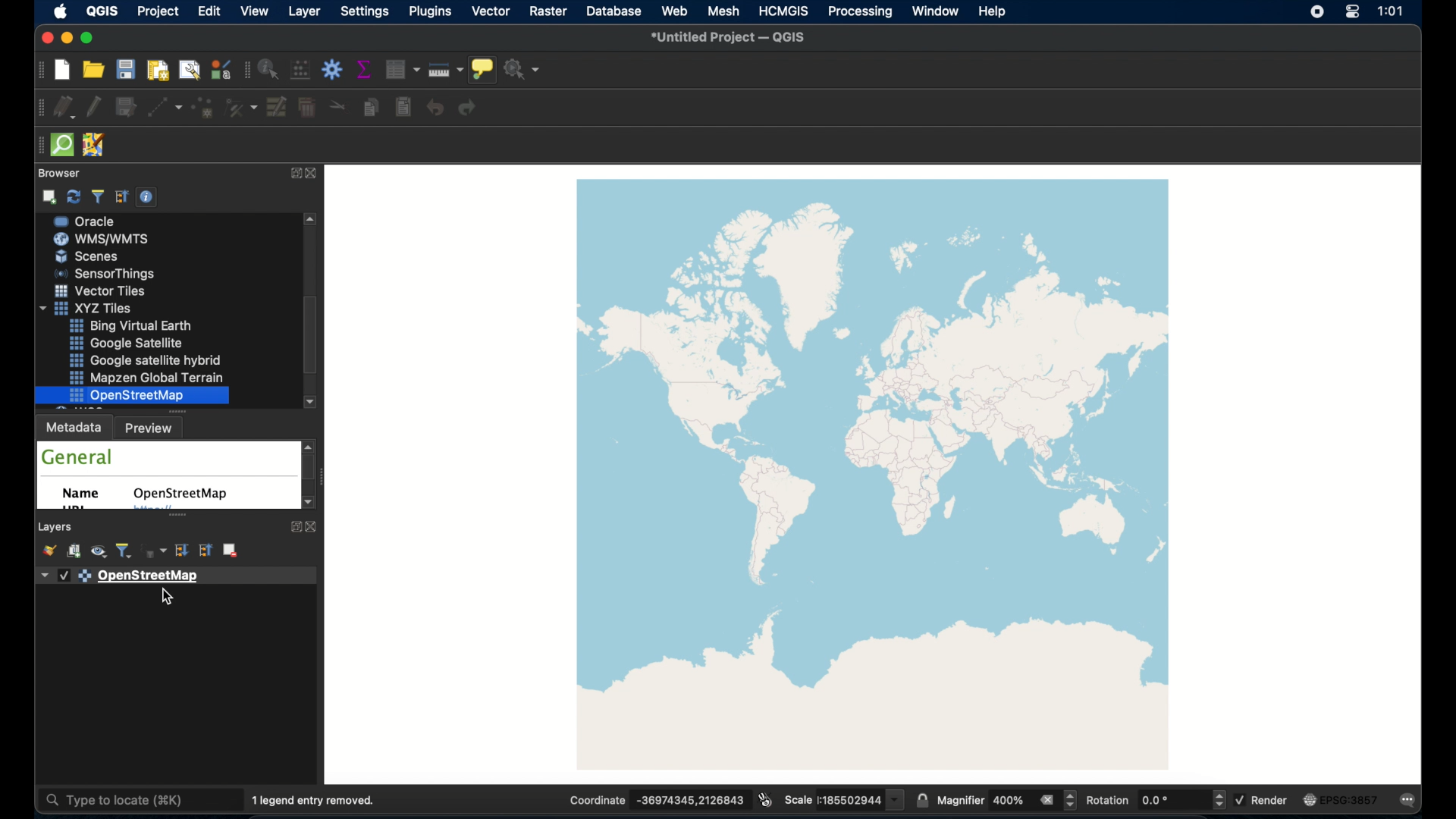  What do you see at coordinates (616, 11) in the screenshot?
I see `database` at bounding box center [616, 11].